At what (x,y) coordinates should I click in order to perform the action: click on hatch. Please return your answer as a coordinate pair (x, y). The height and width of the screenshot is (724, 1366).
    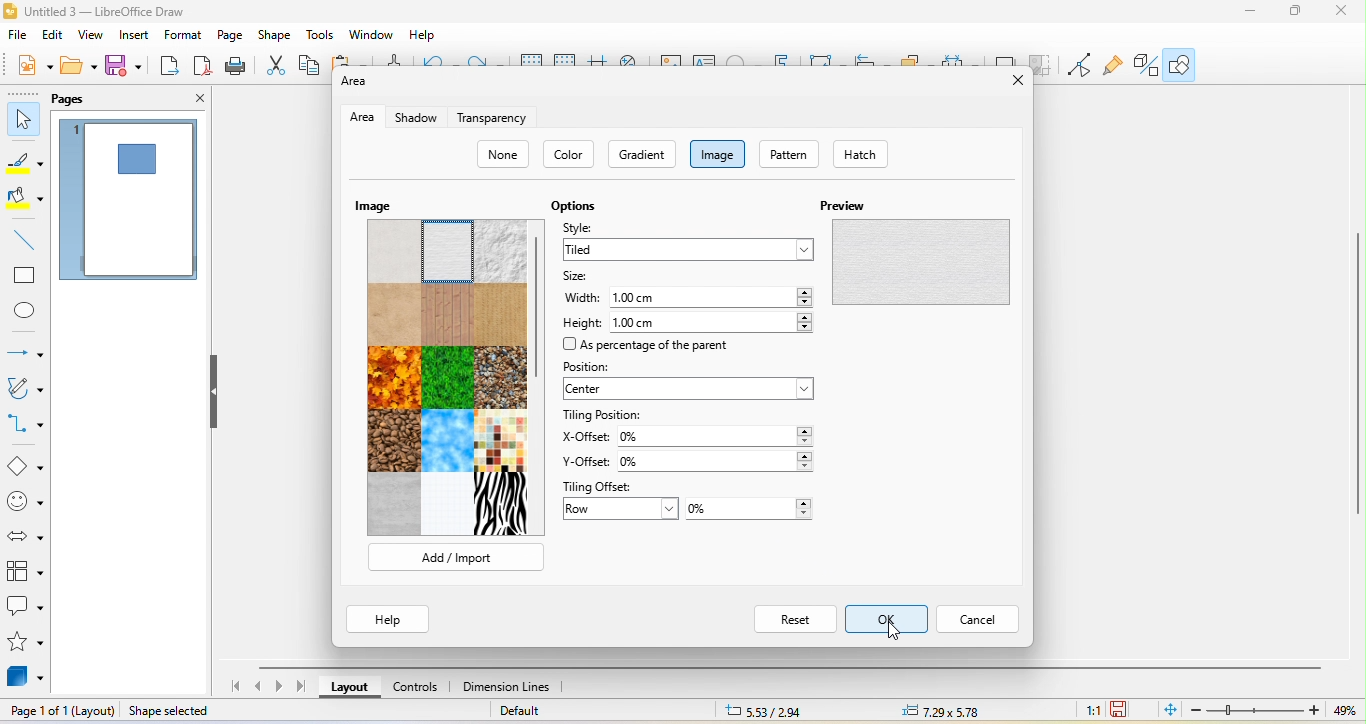
    Looking at the image, I should click on (855, 153).